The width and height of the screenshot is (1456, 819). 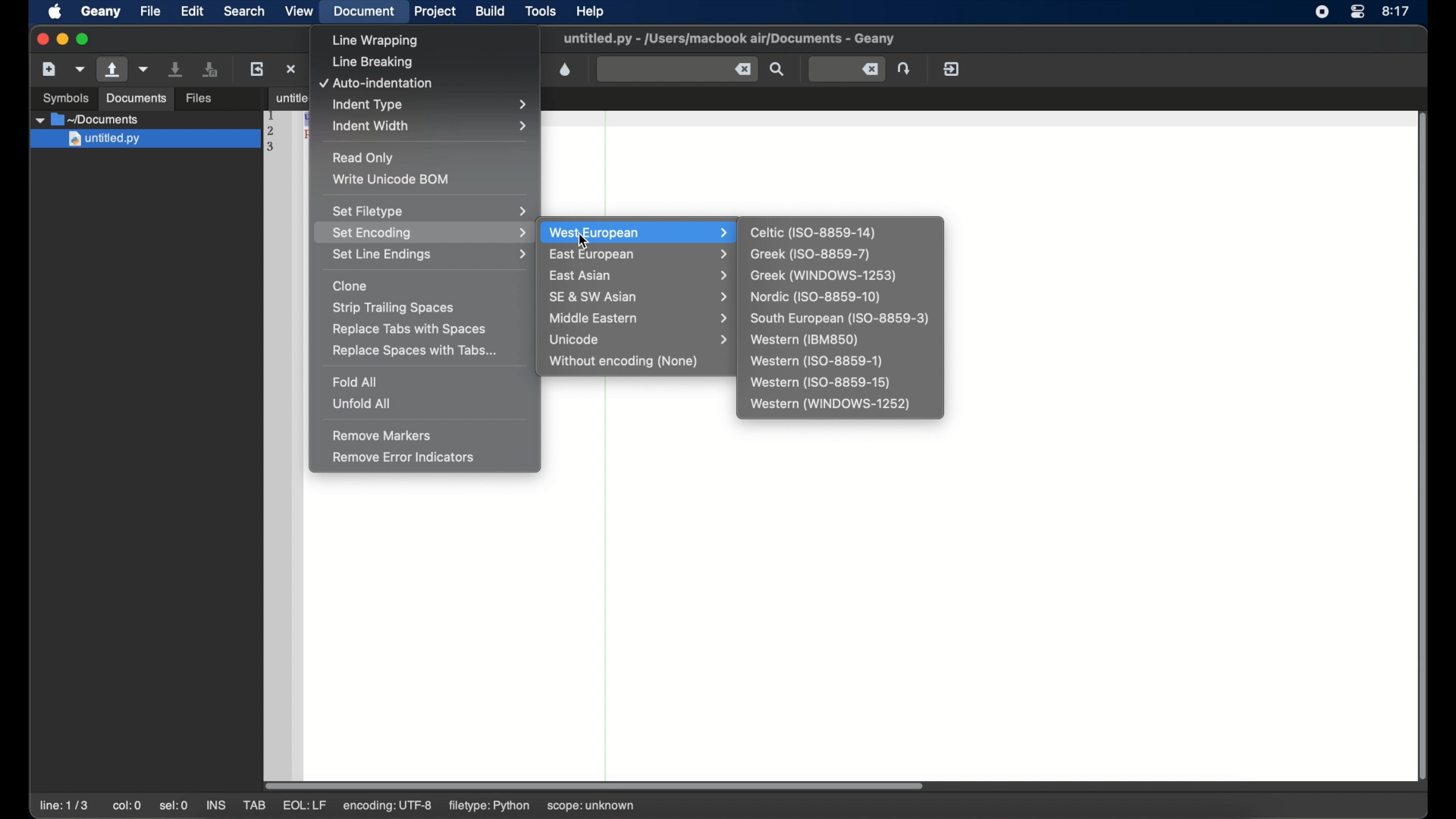 What do you see at coordinates (816, 361) in the screenshot?
I see `western` at bounding box center [816, 361].